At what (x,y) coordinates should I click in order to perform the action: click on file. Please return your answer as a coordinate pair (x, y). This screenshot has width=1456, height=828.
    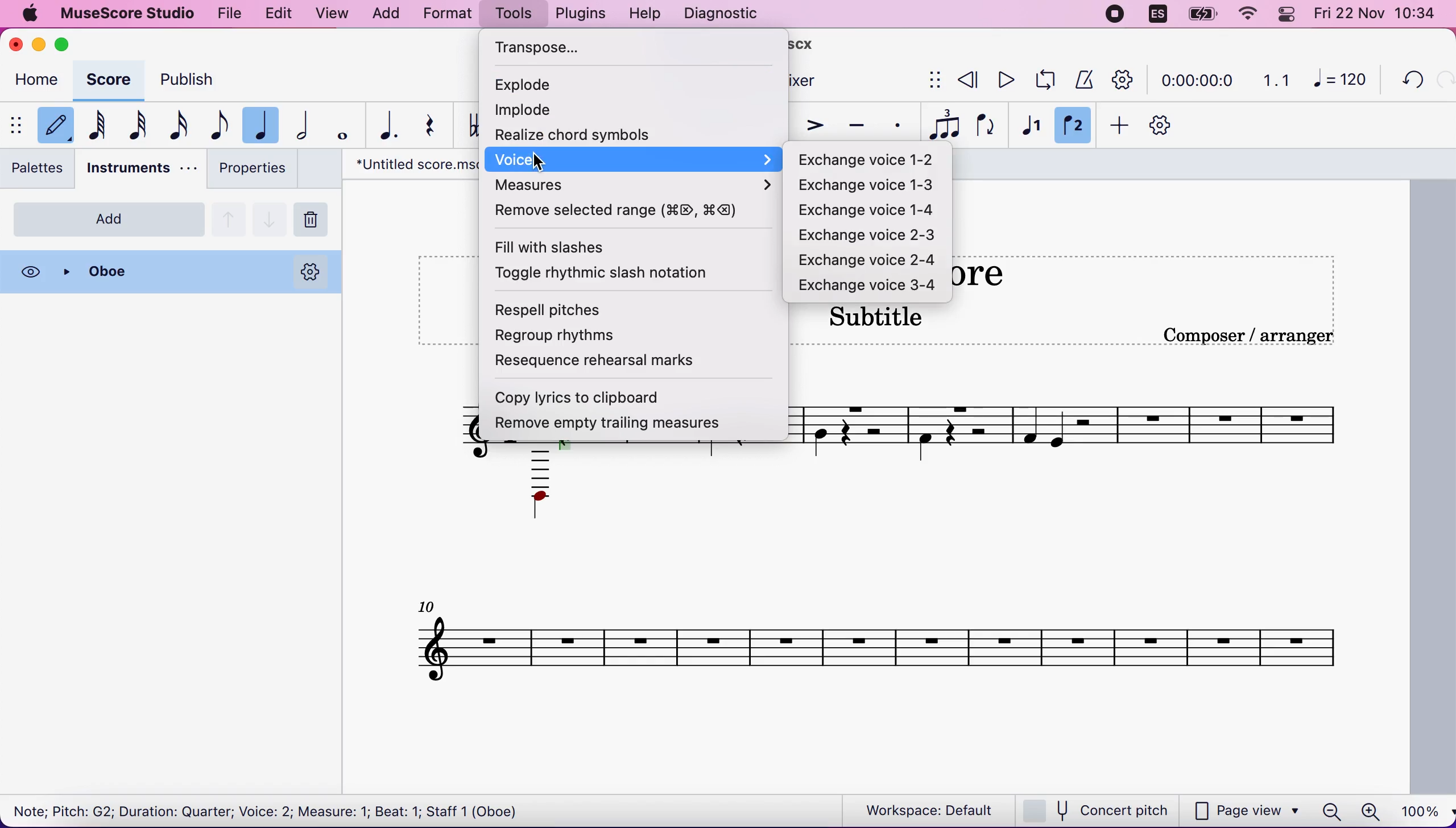
    Looking at the image, I should click on (231, 15).